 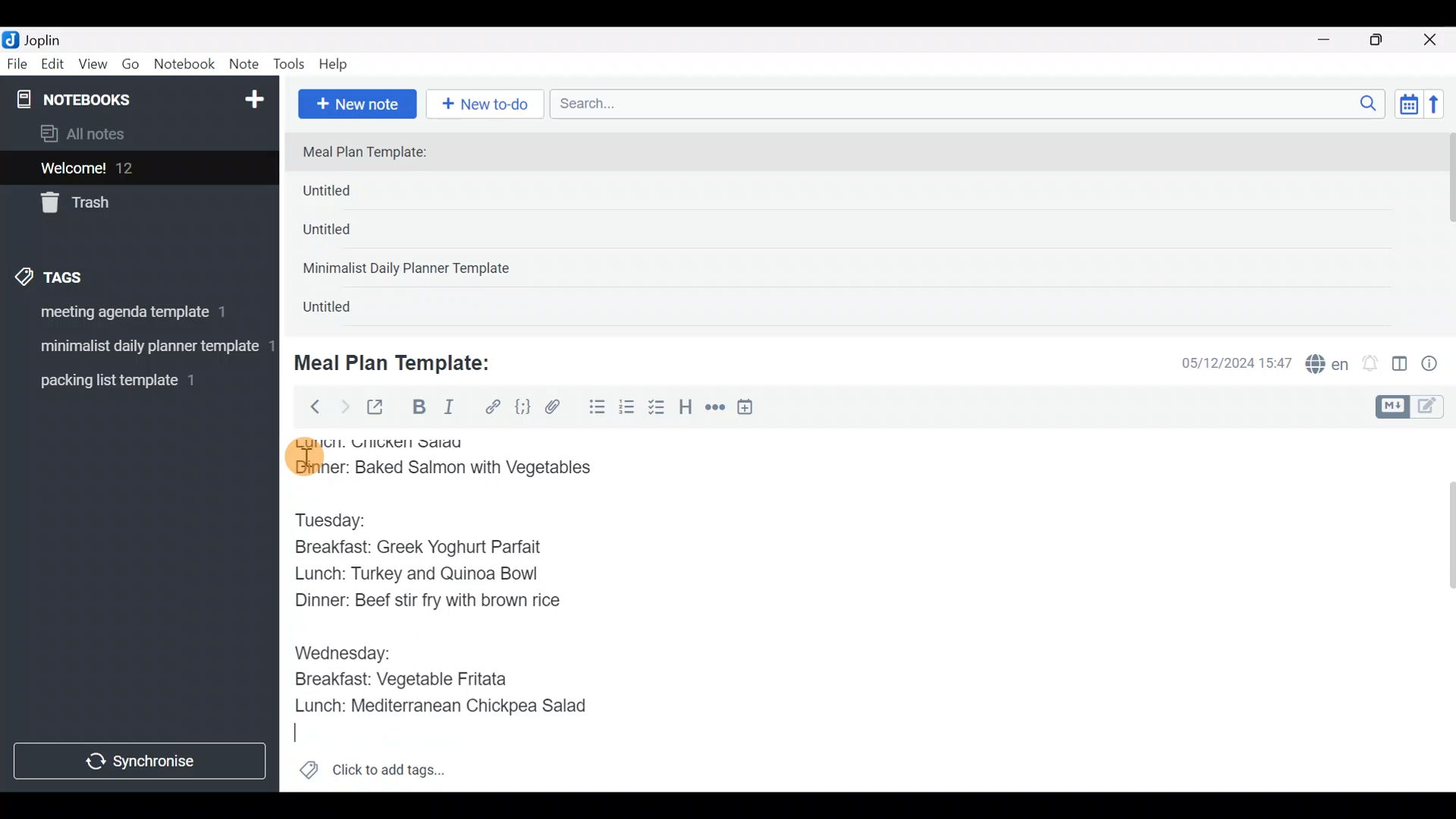 What do you see at coordinates (134, 380) in the screenshot?
I see `Tag 3` at bounding box center [134, 380].